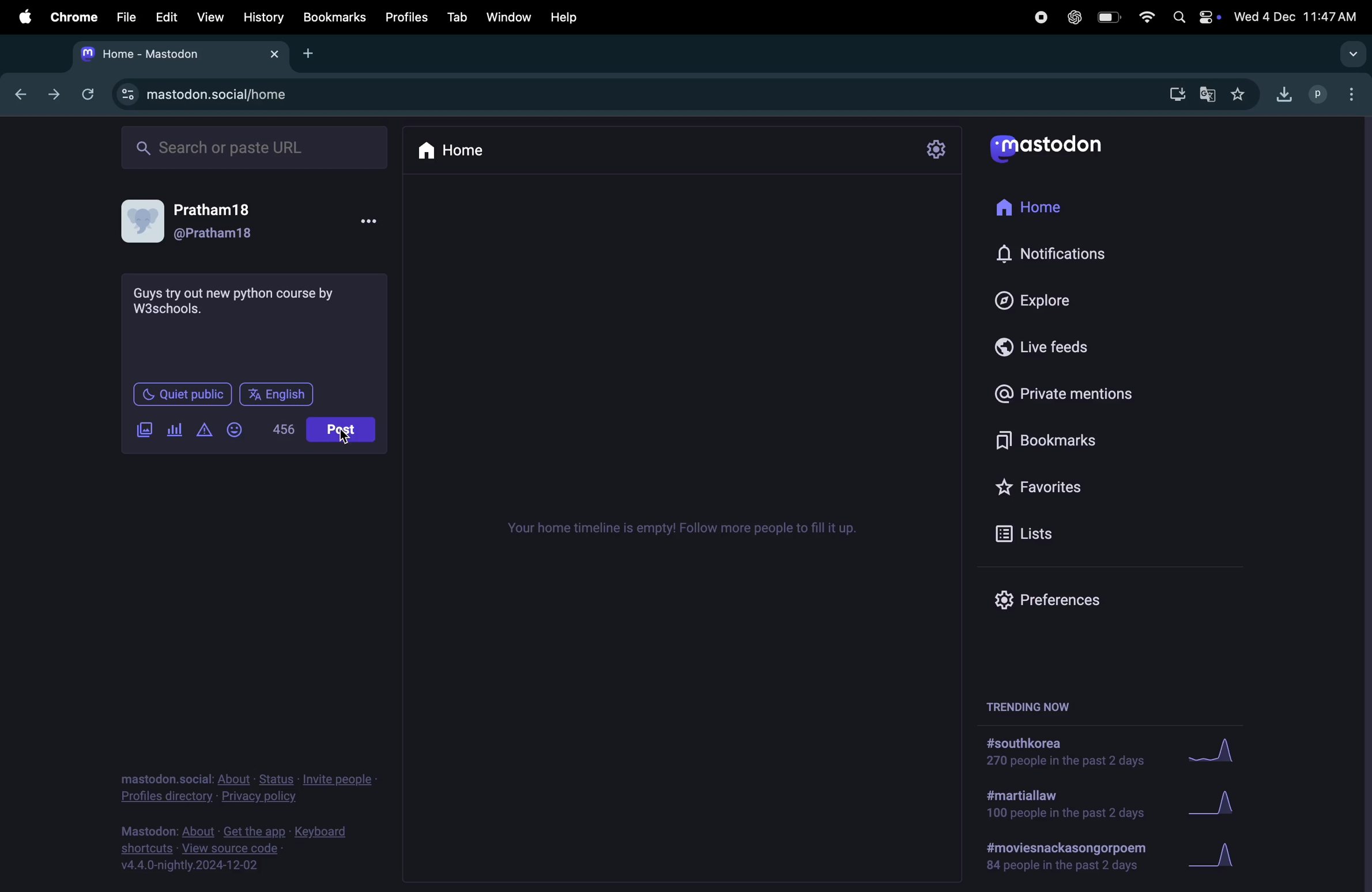 This screenshot has width=1372, height=892. Describe the element at coordinates (1034, 209) in the screenshot. I see `home` at that location.